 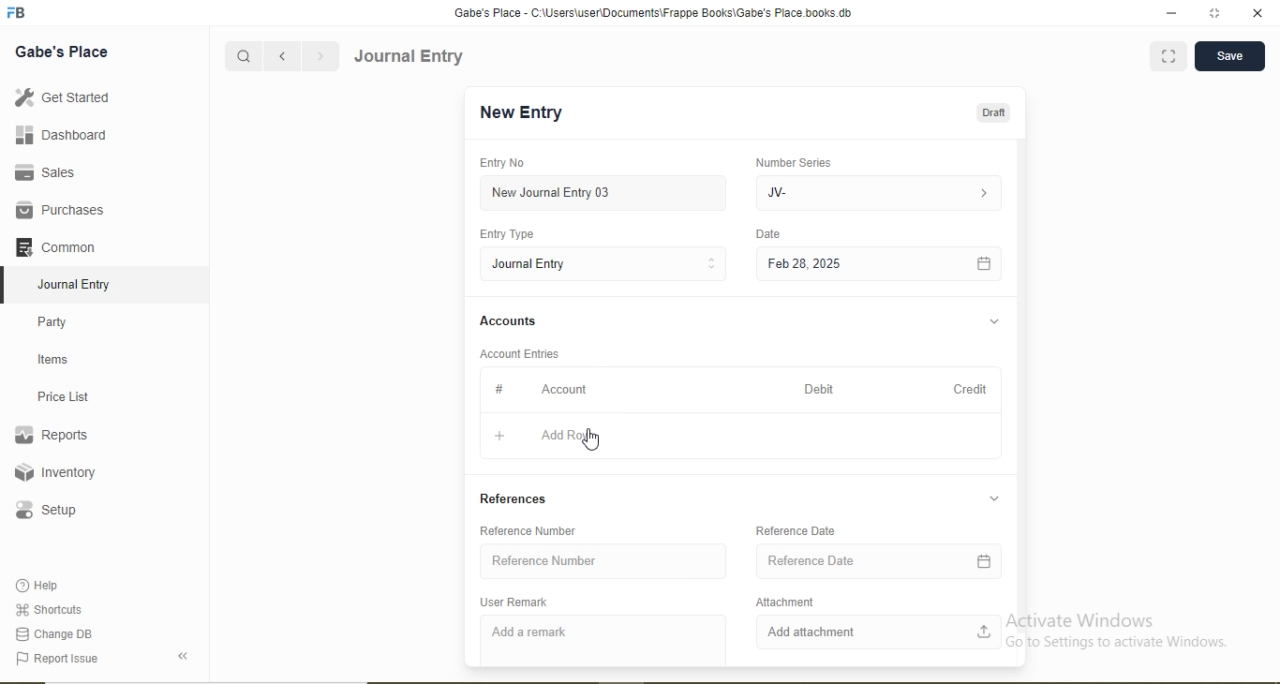 I want to click on Report Issue, so click(x=56, y=659).